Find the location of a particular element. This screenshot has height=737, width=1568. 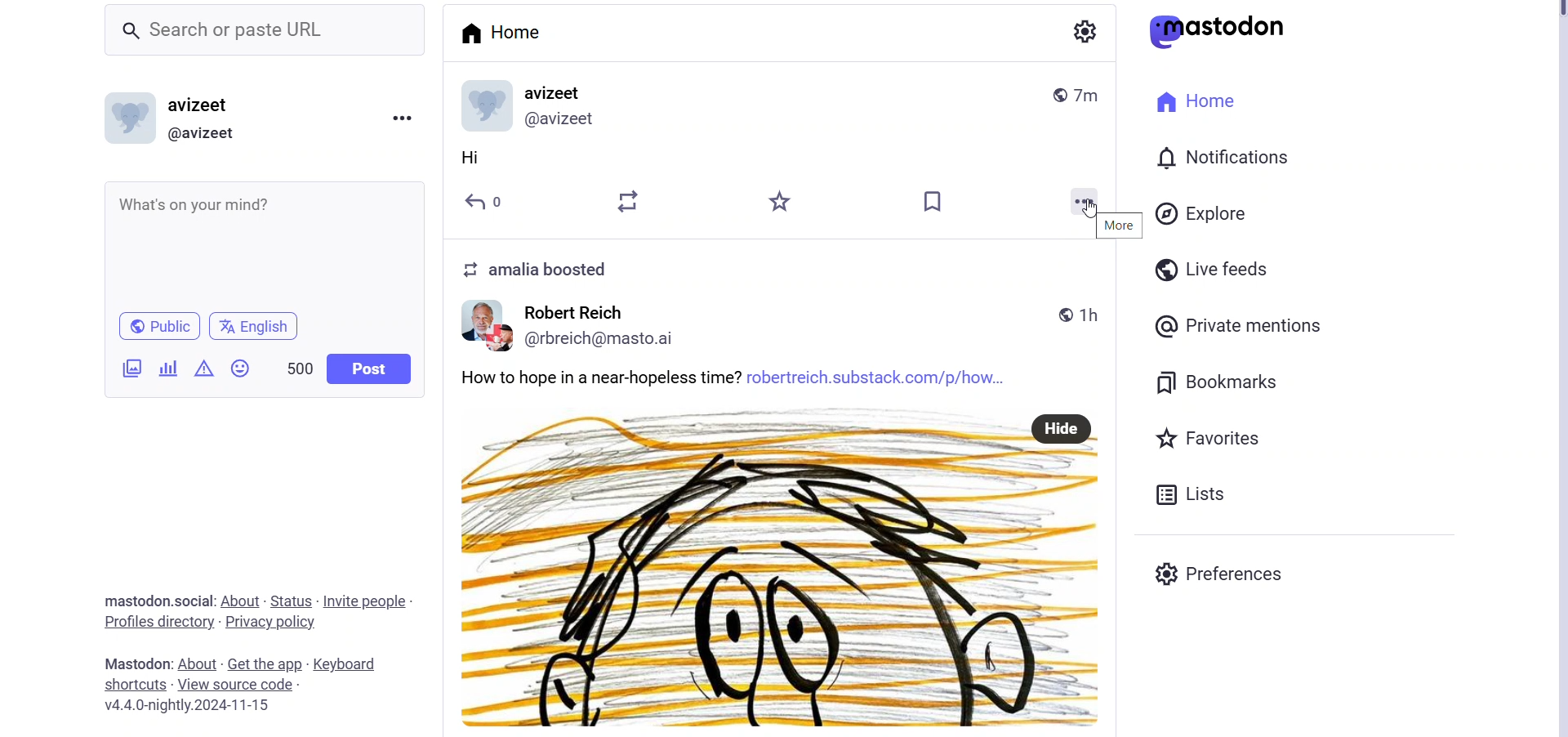

Bookmarks is located at coordinates (933, 203).